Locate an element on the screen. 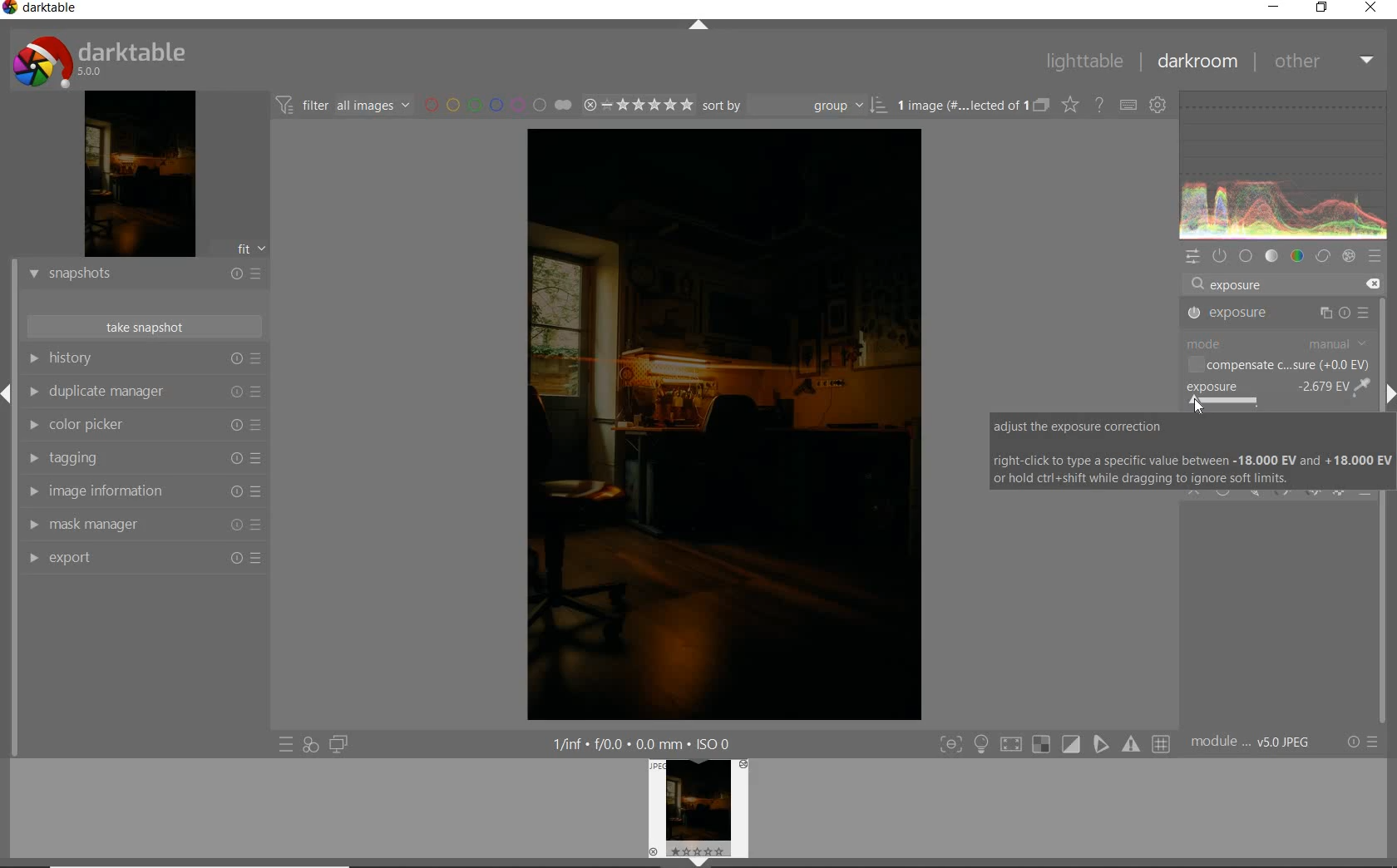 The width and height of the screenshot is (1397, 868). quick access panel is located at coordinates (1192, 256).